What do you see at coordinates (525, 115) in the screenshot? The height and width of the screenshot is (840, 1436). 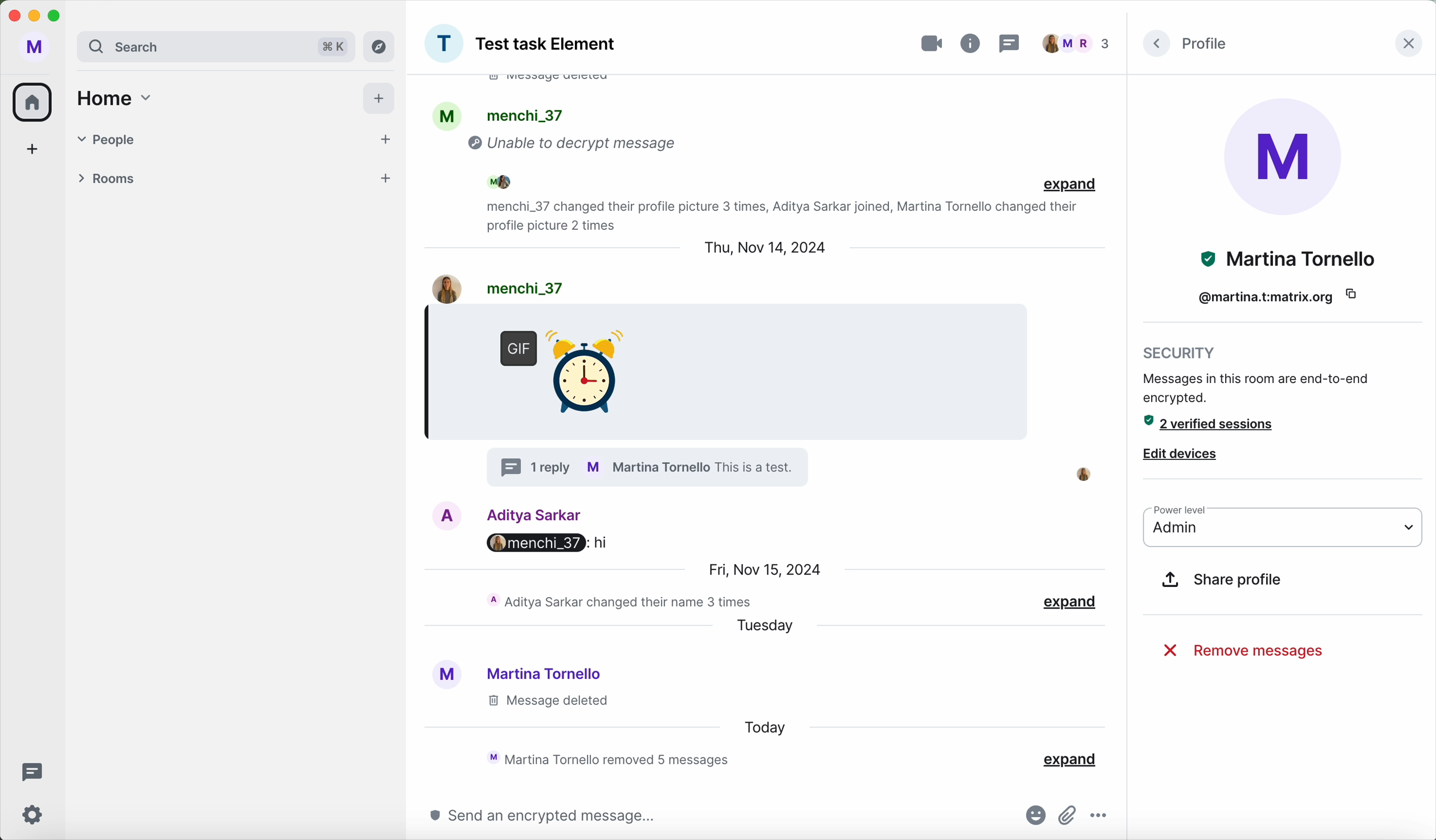 I see `people` at bounding box center [525, 115].